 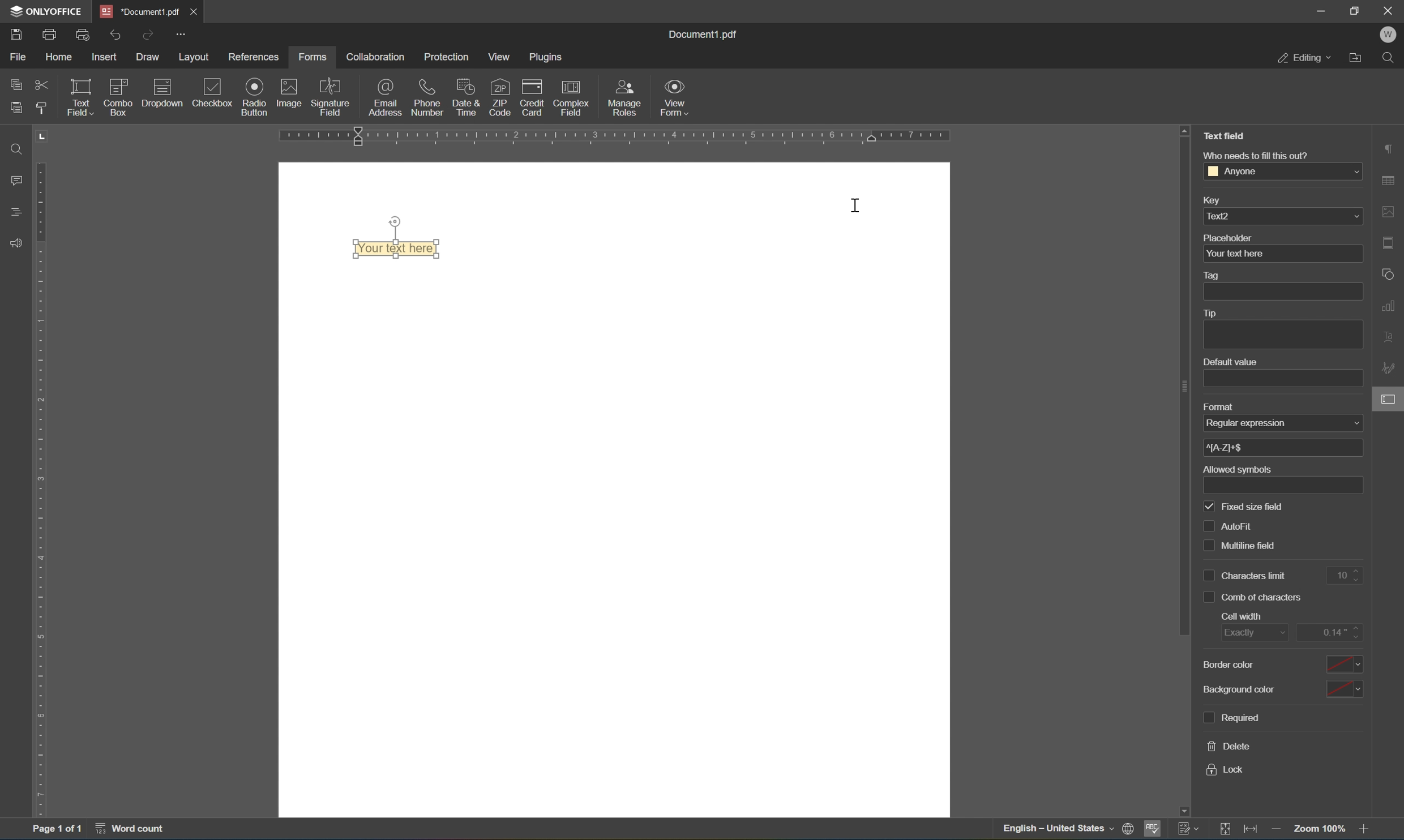 What do you see at coordinates (1389, 244) in the screenshot?
I see `header & footer settings` at bounding box center [1389, 244].